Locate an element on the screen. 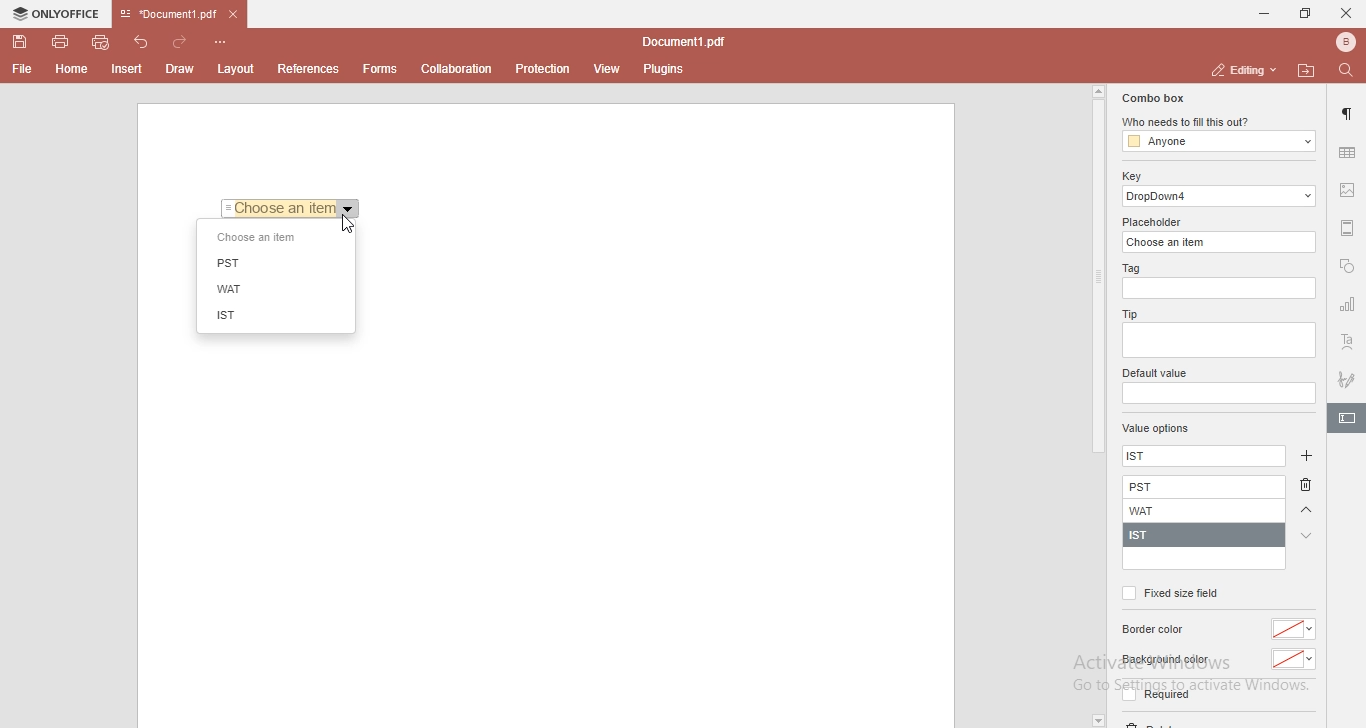 The height and width of the screenshot is (728, 1366). customise quick access toolbar is located at coordinates (224, 41).